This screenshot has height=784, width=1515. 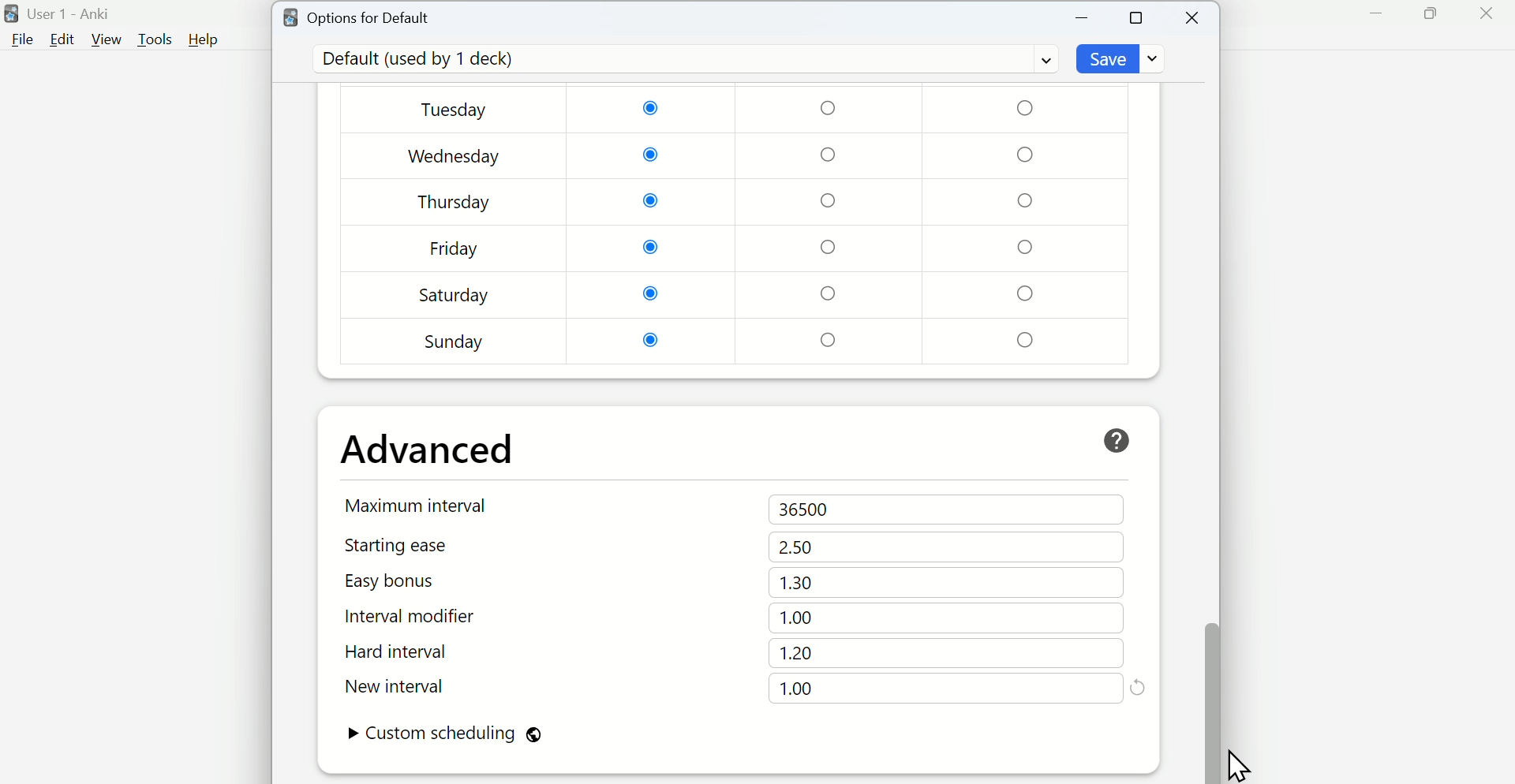 What do you see at coordinates (1138, 686) in the screenshot?
I see `Refresh` at bounding box center [1138, 686].